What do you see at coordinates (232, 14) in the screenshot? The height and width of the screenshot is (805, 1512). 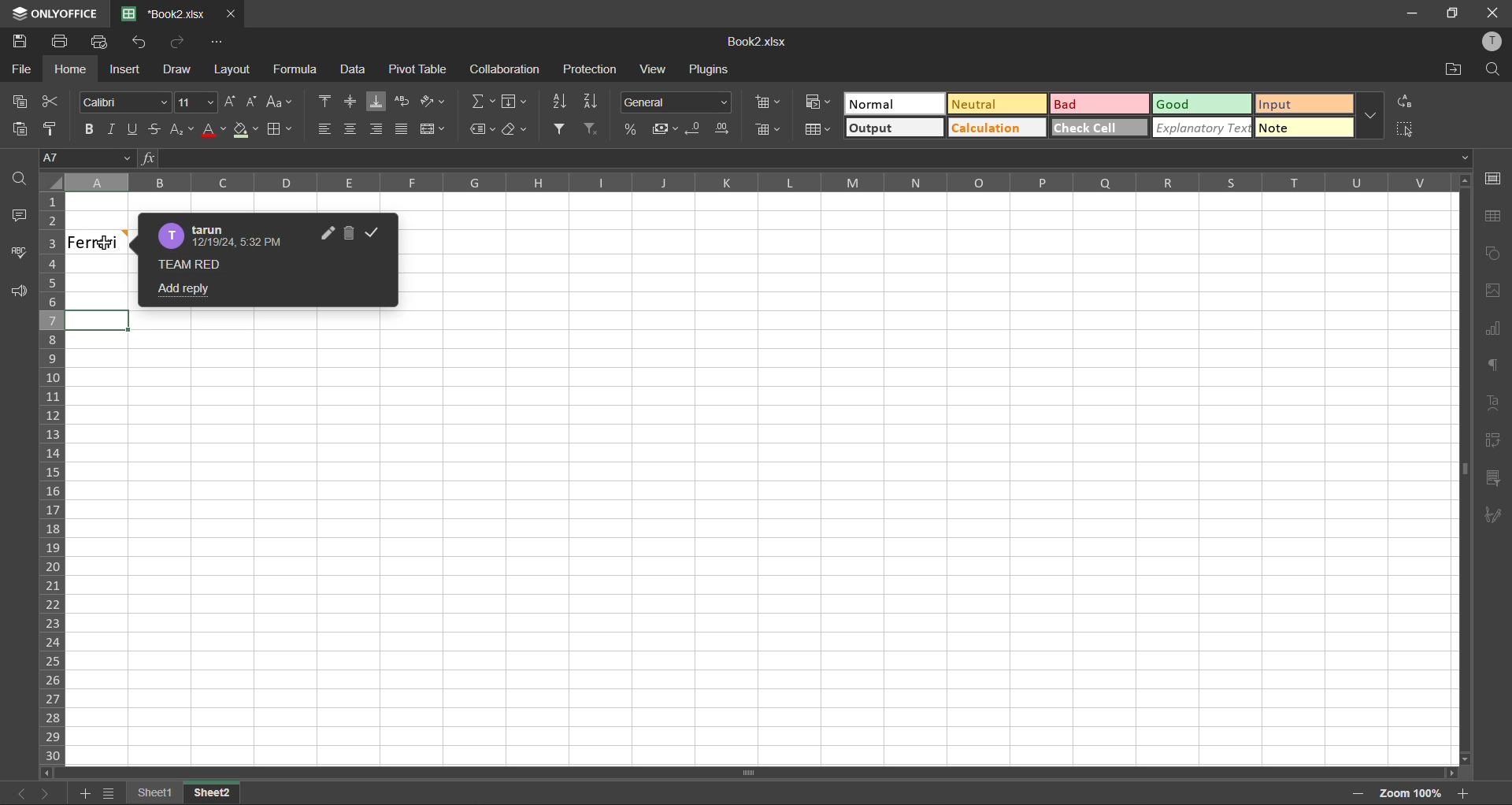 I see `close tab` at bounding box center [232, 14].